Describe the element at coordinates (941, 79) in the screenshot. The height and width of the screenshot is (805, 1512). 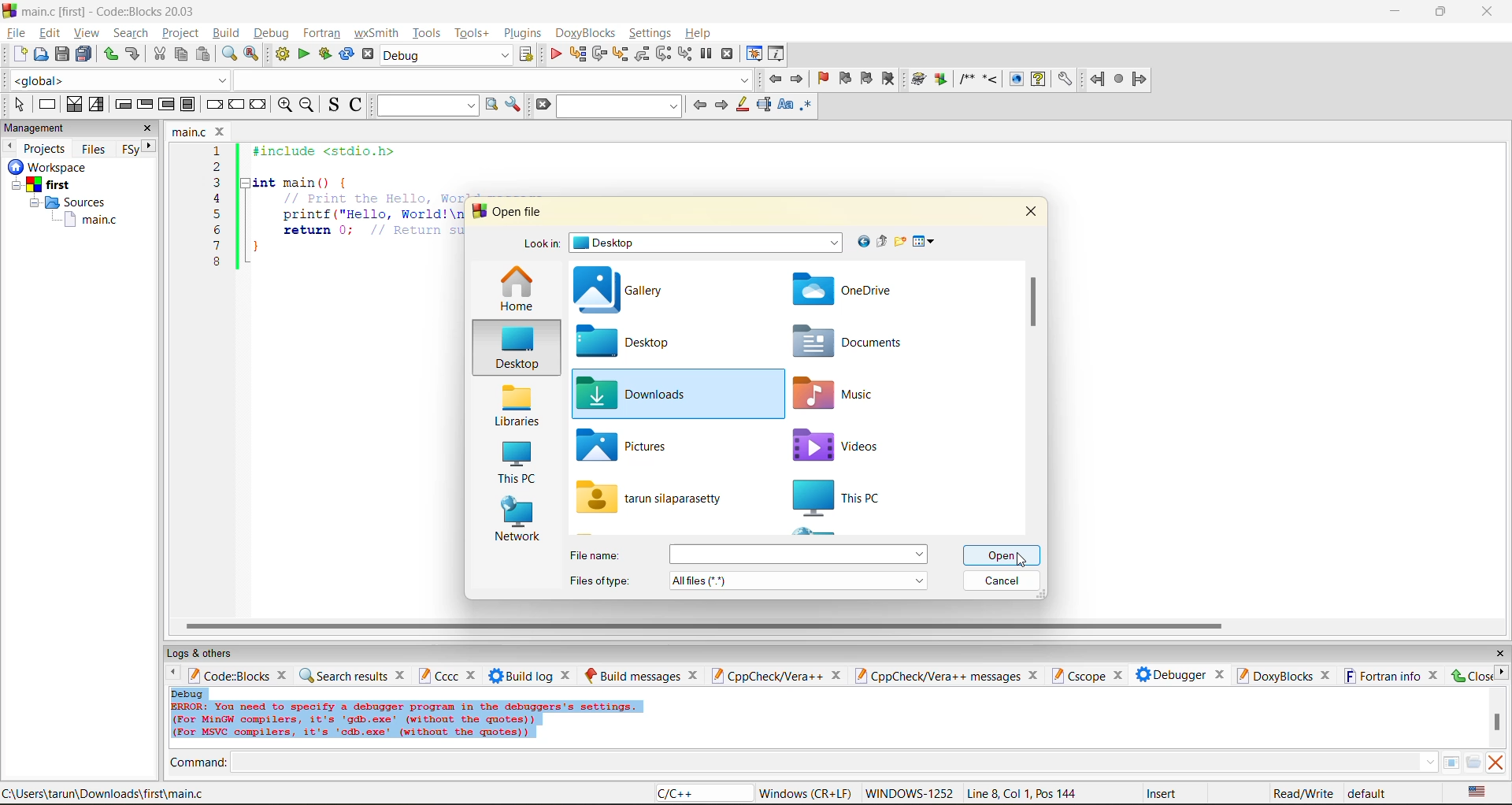
I see `Run` at that location.